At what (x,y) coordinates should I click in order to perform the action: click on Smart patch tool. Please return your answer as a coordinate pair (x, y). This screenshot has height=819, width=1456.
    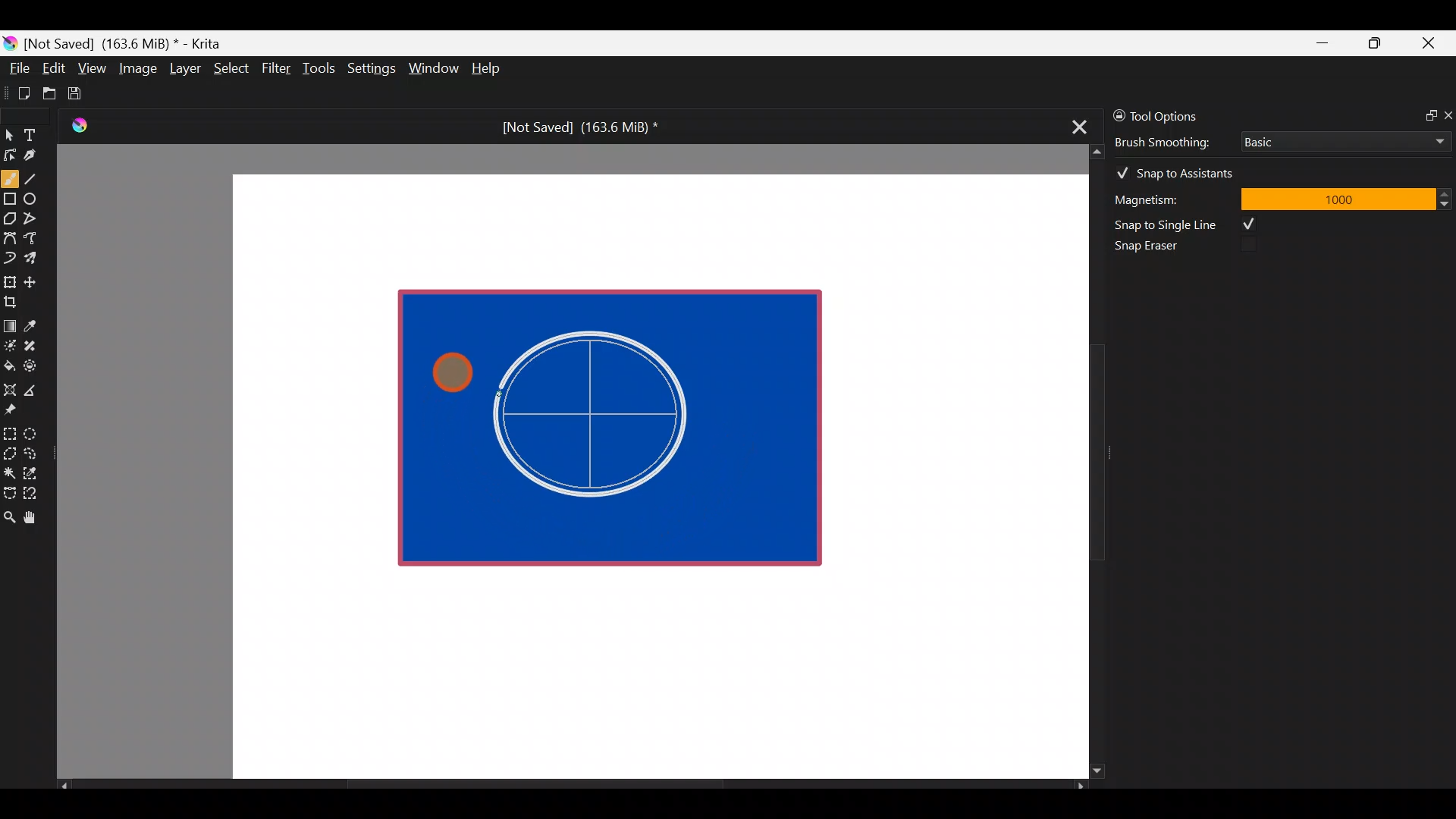
    Looking at the image, I should click on (35, 345).